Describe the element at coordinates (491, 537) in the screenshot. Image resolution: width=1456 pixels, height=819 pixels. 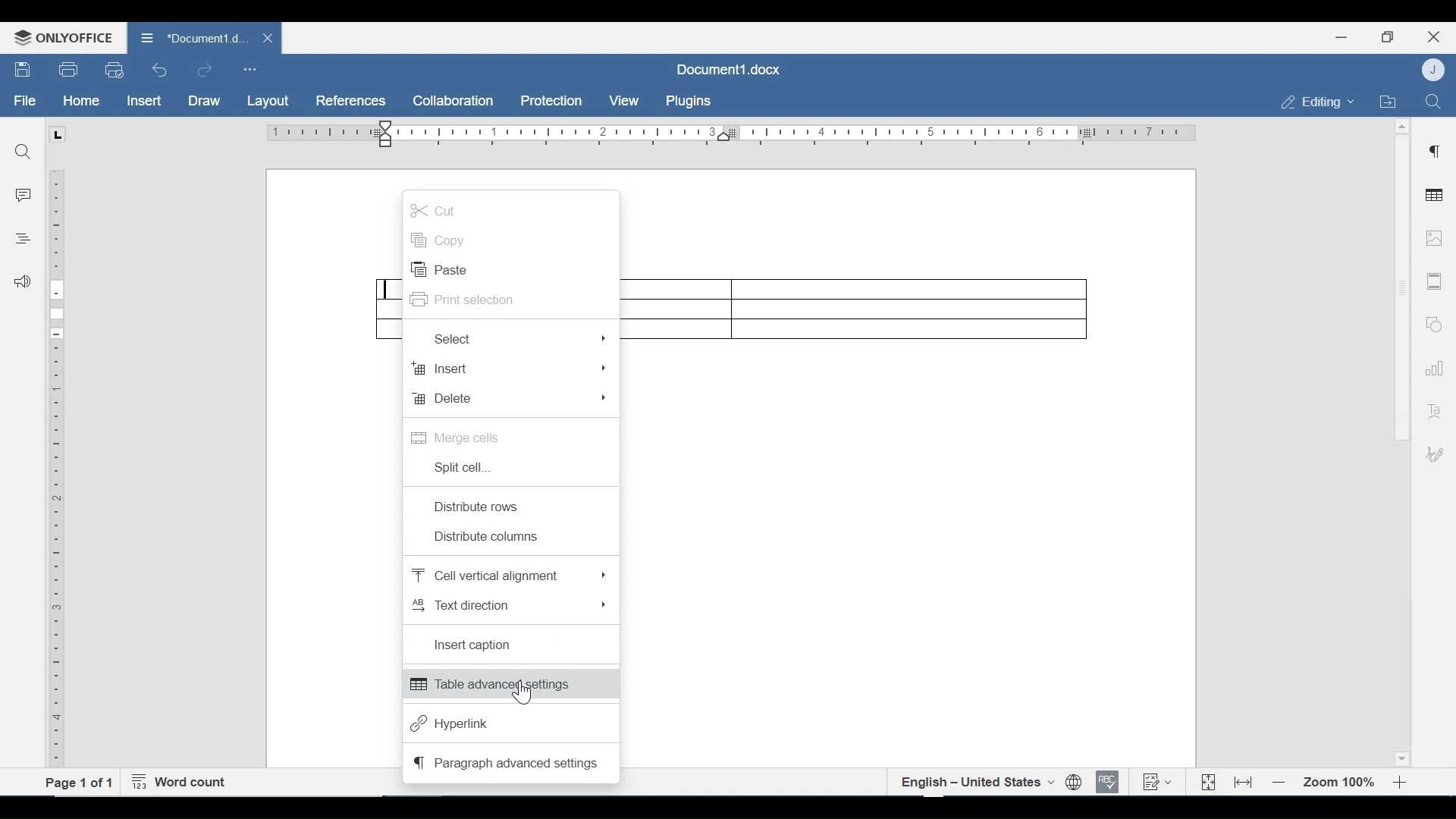
I see `Distribute column` at that location.